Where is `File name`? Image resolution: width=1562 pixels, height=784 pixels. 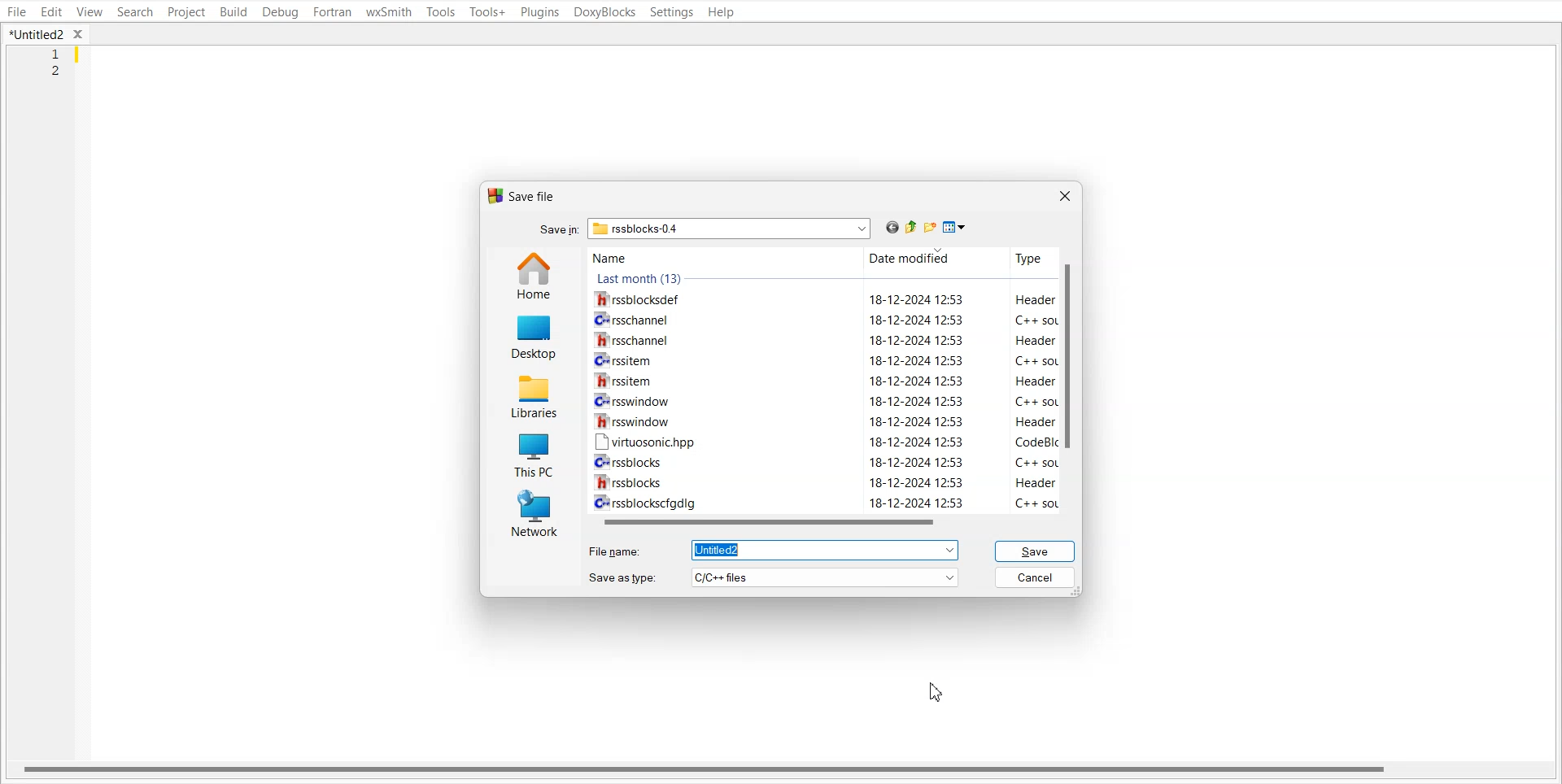
File name is located at coordinates (775, 549).